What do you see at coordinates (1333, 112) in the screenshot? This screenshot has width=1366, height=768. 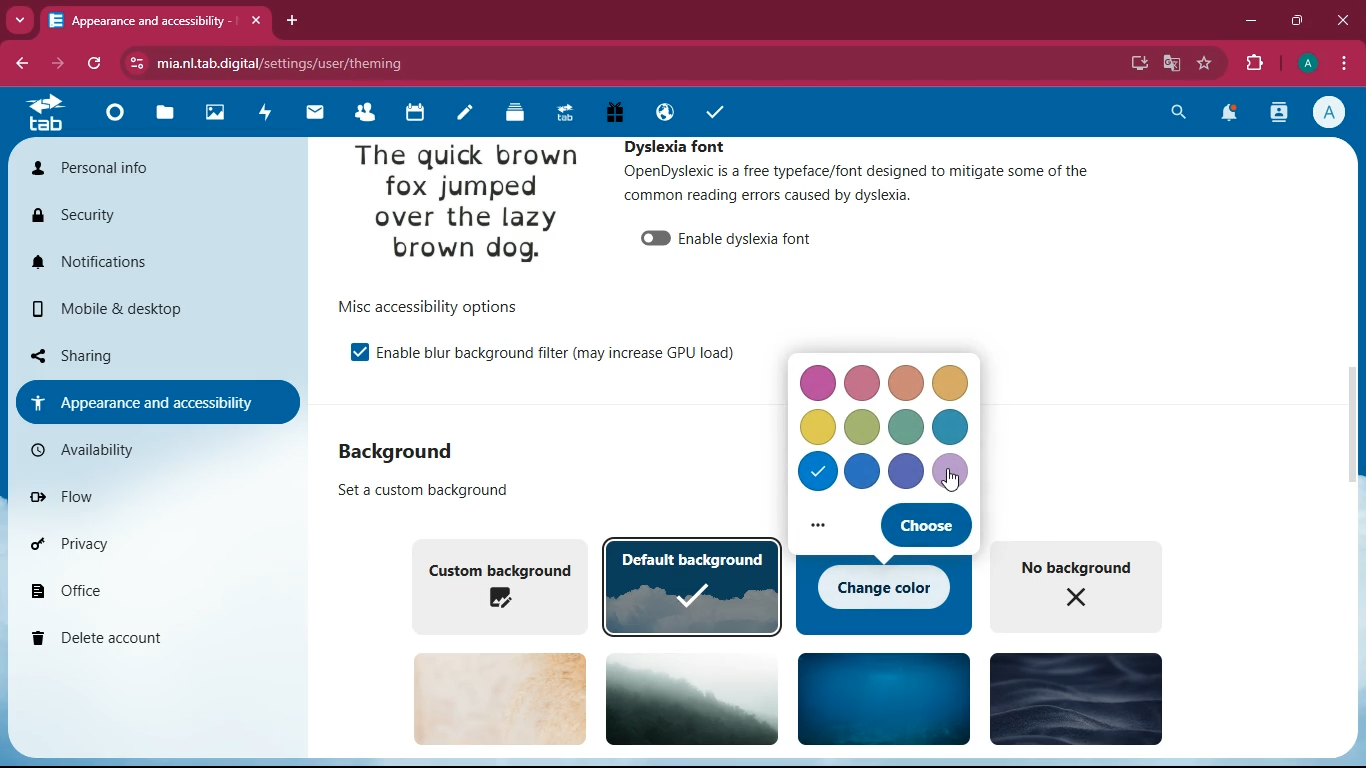 I see `profile` at bounding box center [1333, 112].